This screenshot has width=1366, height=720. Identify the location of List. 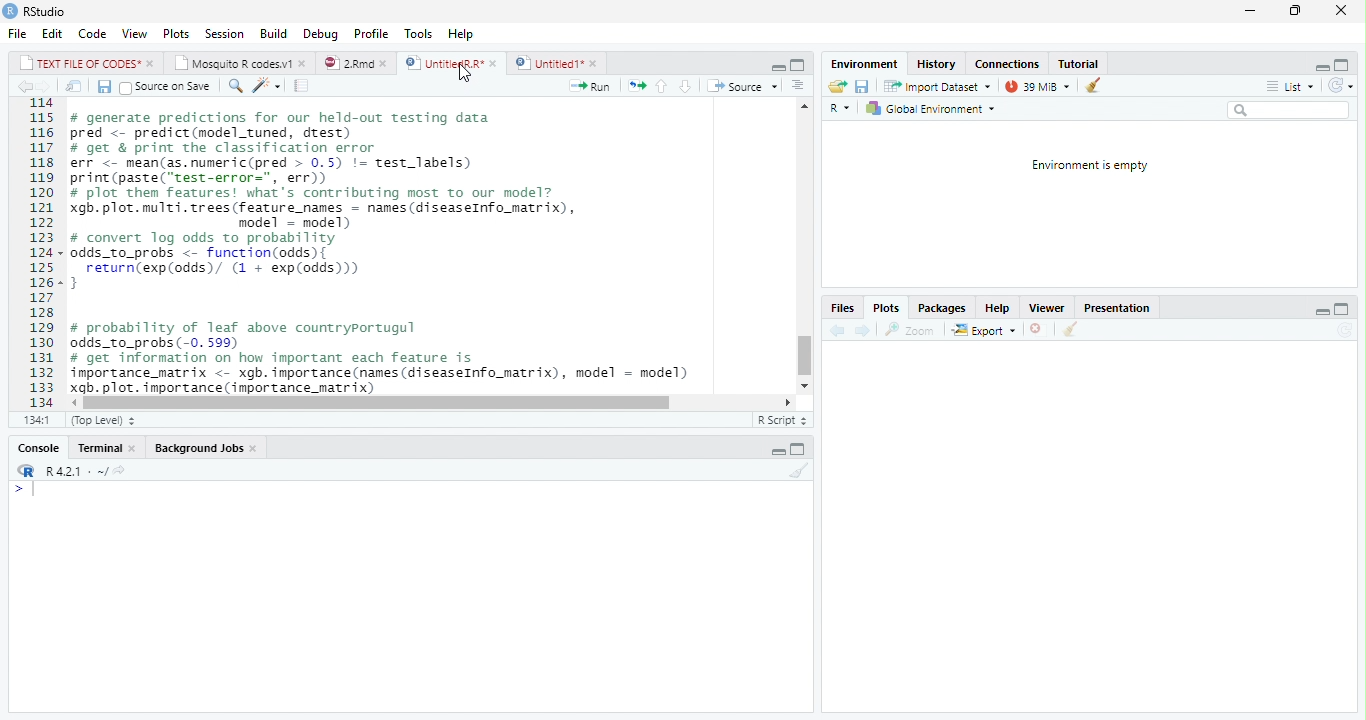
(1289, 85).